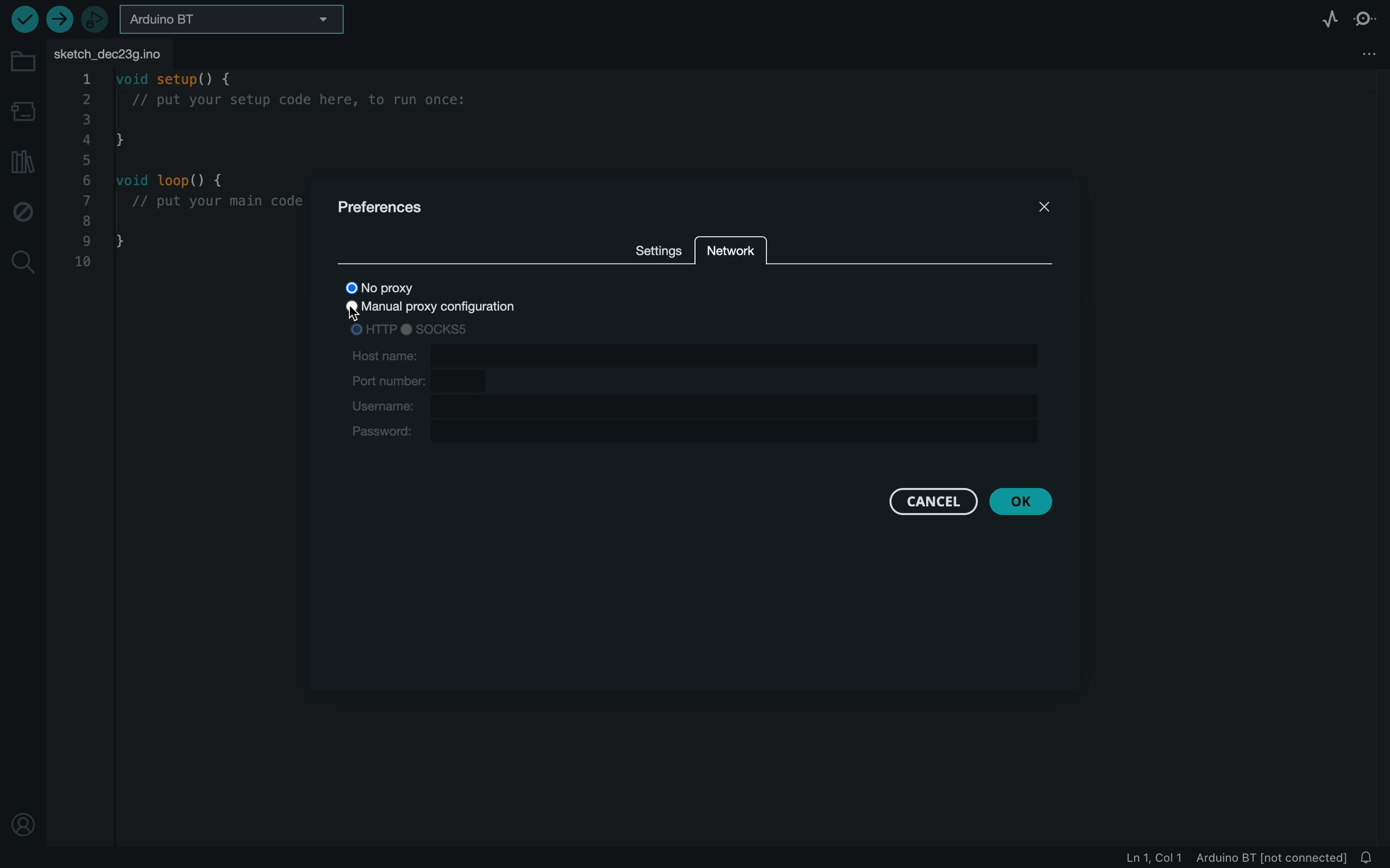 This screenshot has width=1390, height=868. Describe the element at coordinates (735, 254) in the screenshot. I see `network` at that location.